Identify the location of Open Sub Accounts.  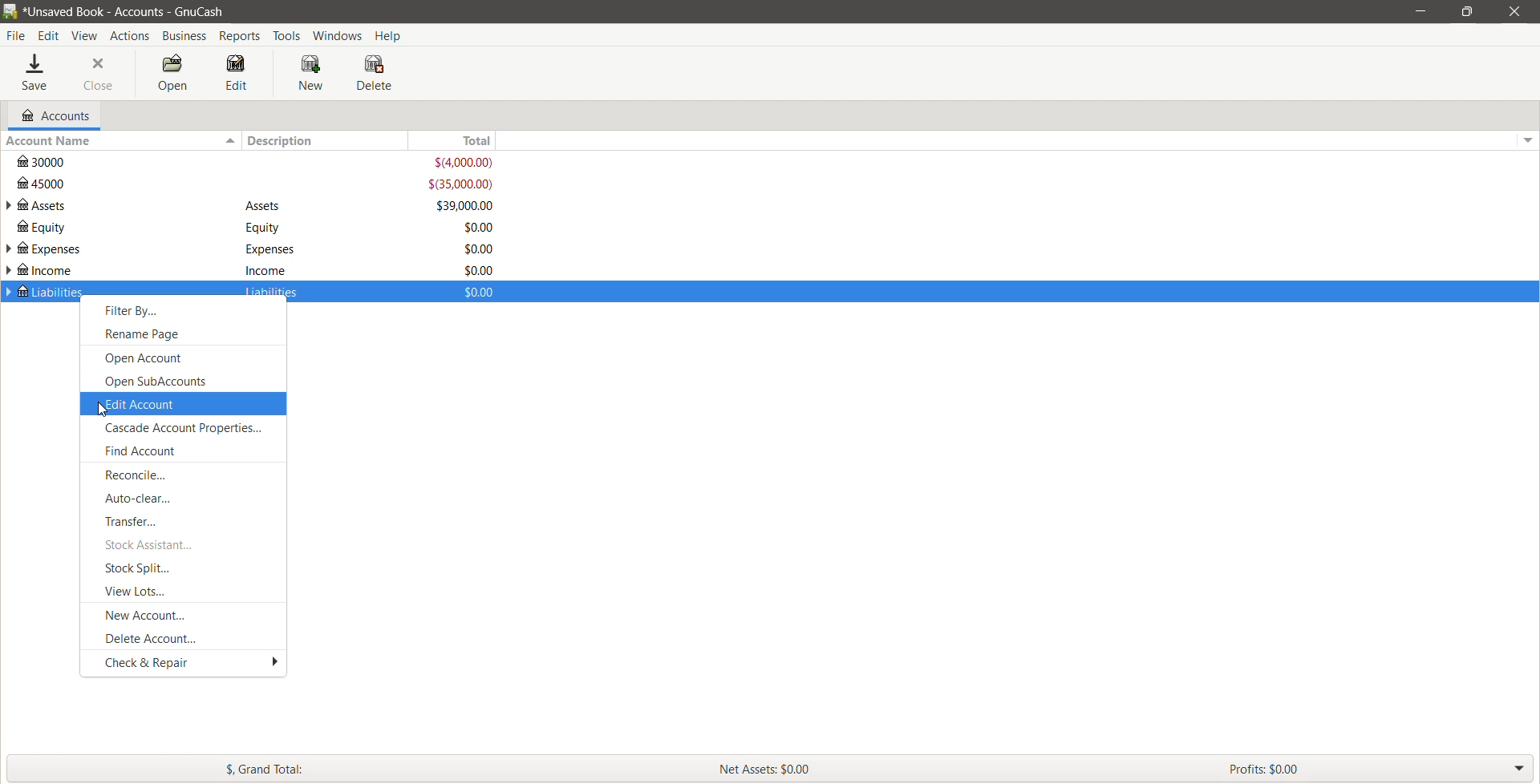
(162, 380).